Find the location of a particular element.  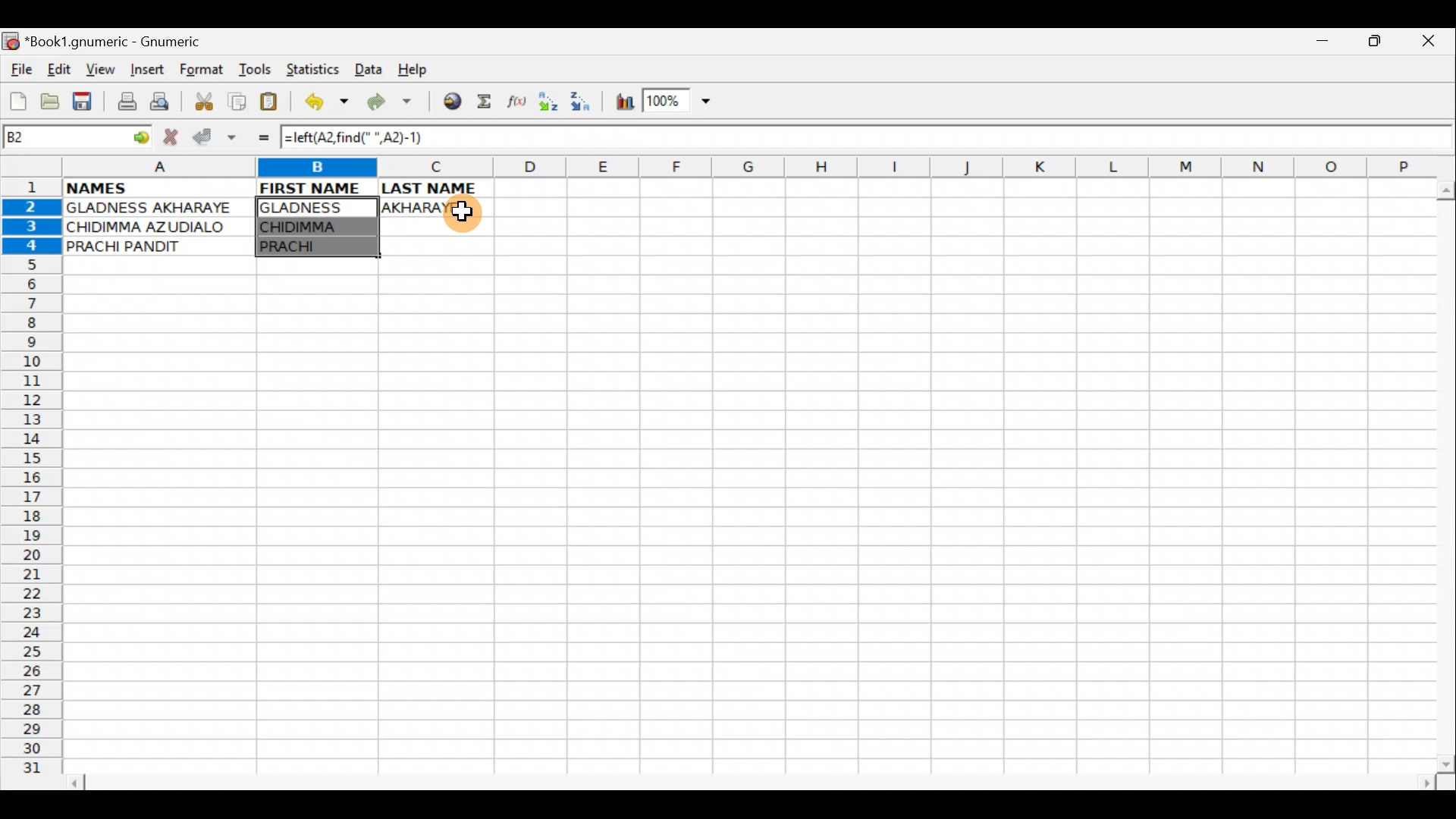

CHIDIMMA AZUDIALO is located at coordinates (152, 227).